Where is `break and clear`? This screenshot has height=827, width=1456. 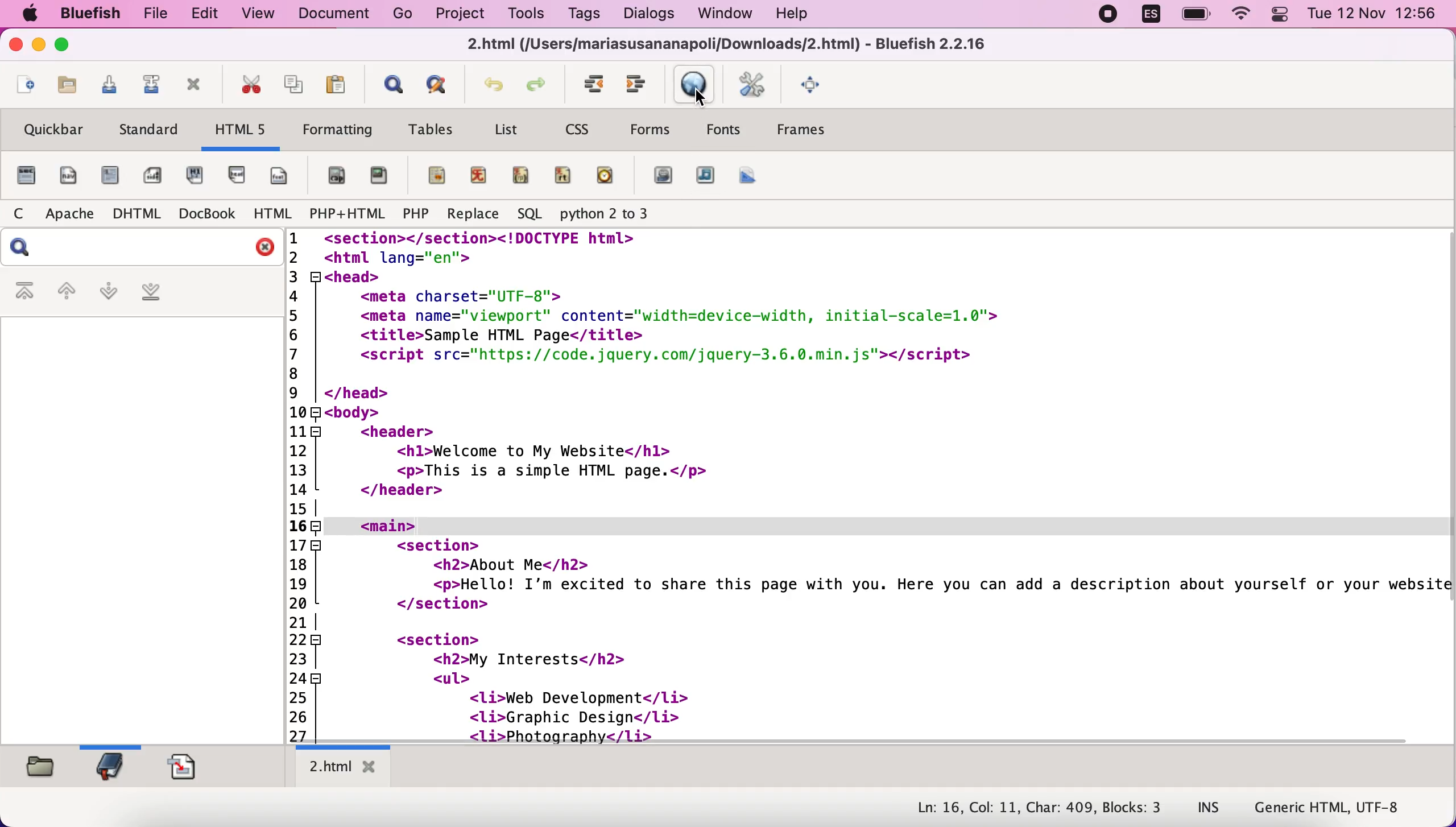
break and clear is located at coordinates (283, 179).